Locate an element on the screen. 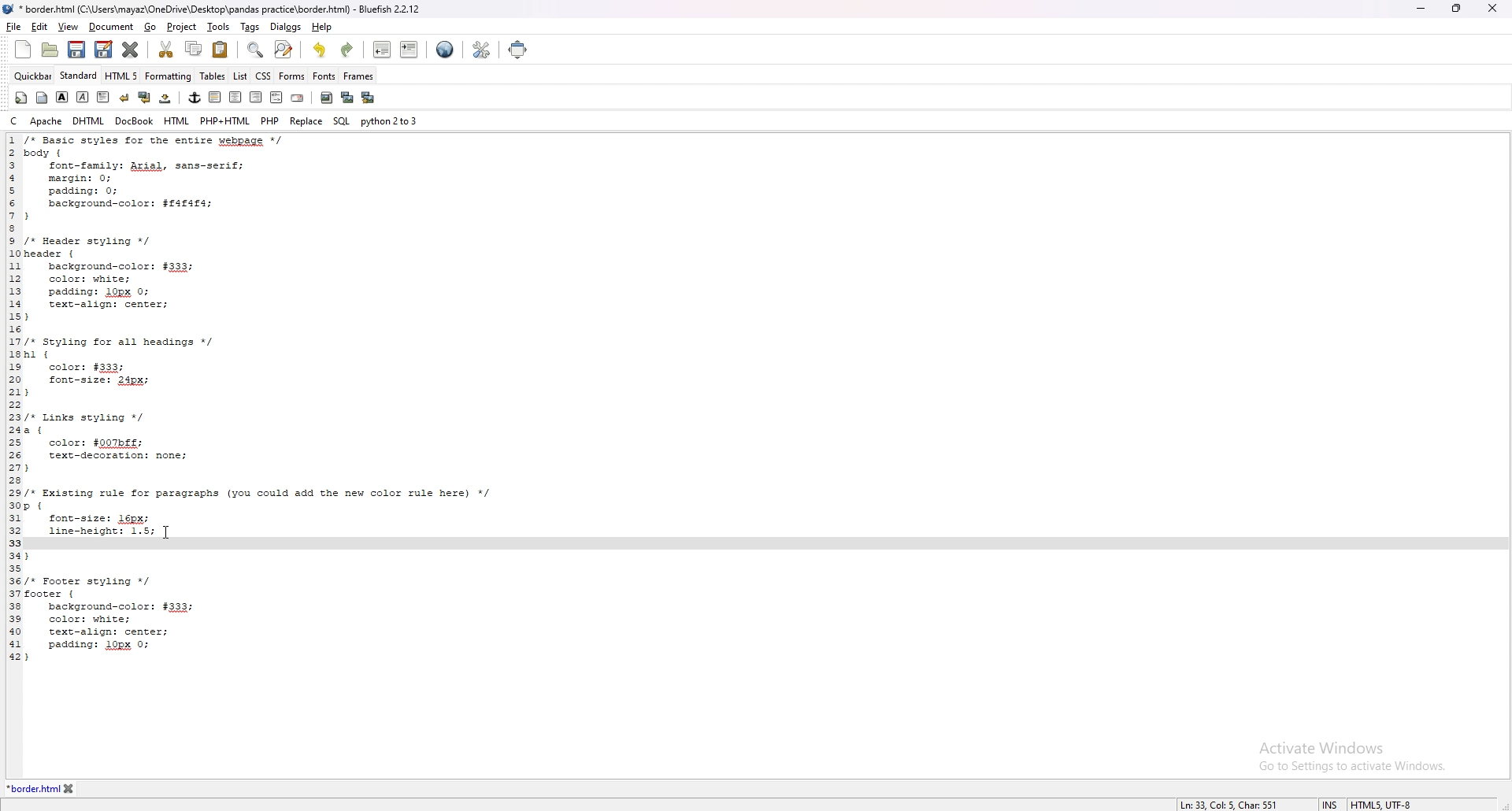 The width and height of the screenshot is (1512, 811). replace is located at coordinates (306, 120).